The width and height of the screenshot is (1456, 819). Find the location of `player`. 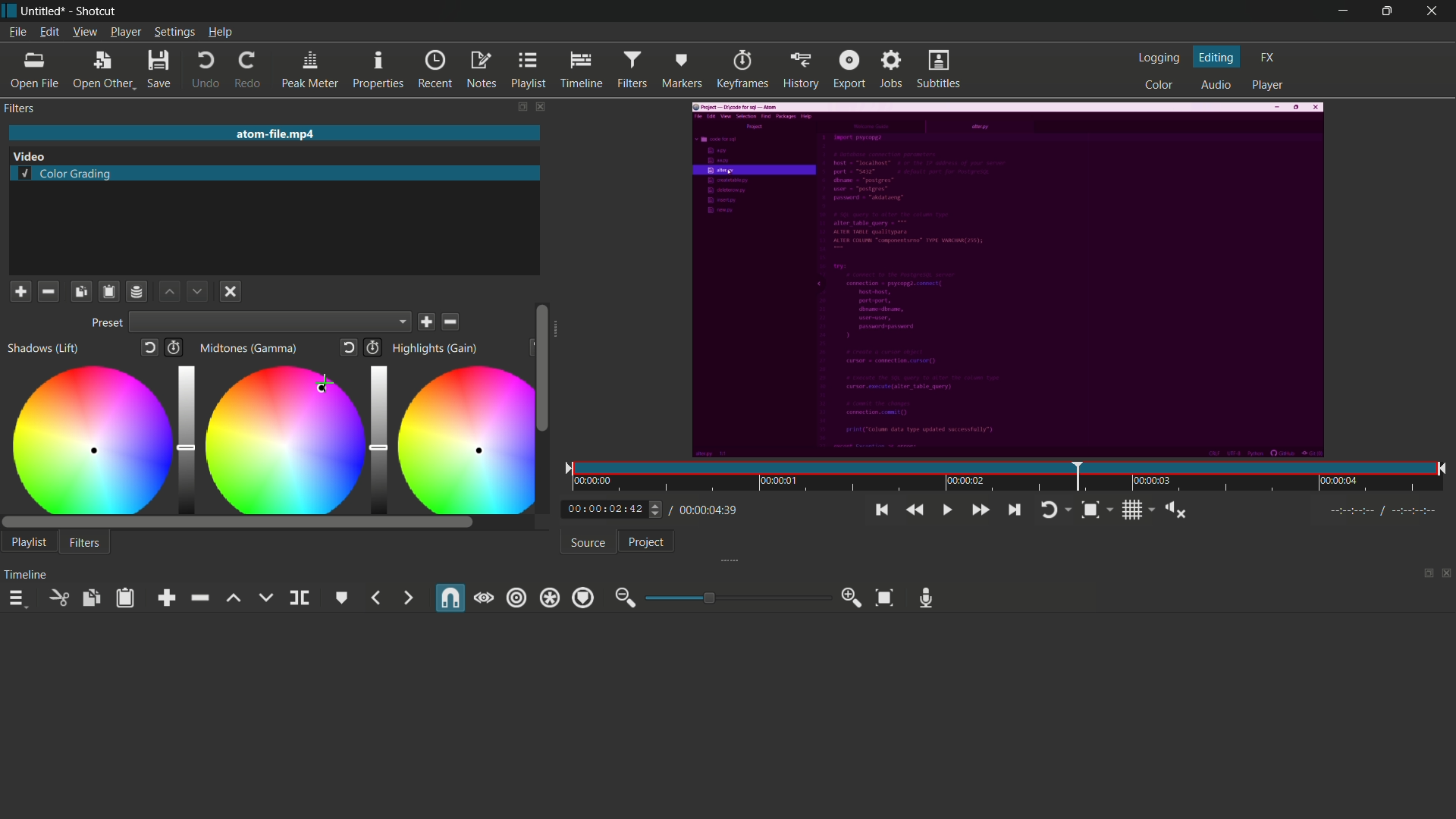

player is located at coordinates (1268, 86).